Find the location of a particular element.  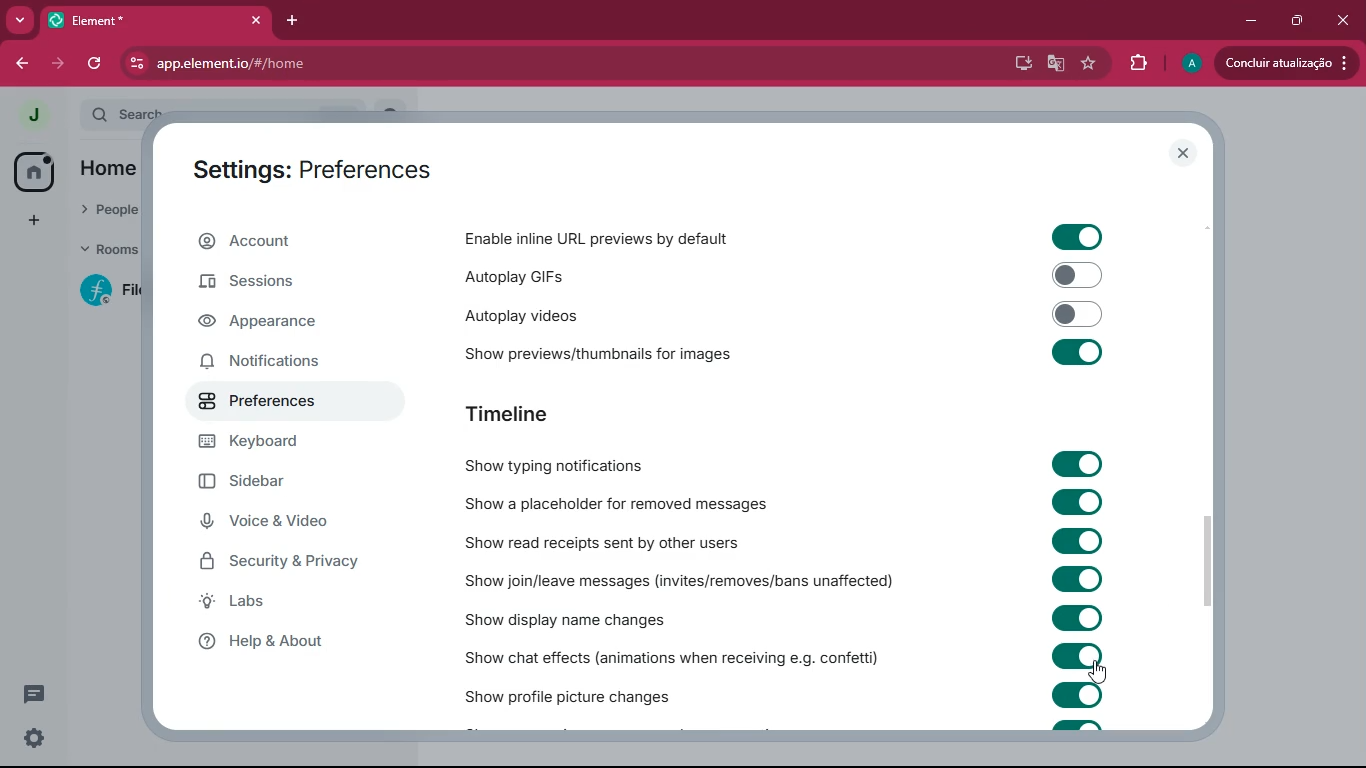

refresh is located at coordinates (99, 64).